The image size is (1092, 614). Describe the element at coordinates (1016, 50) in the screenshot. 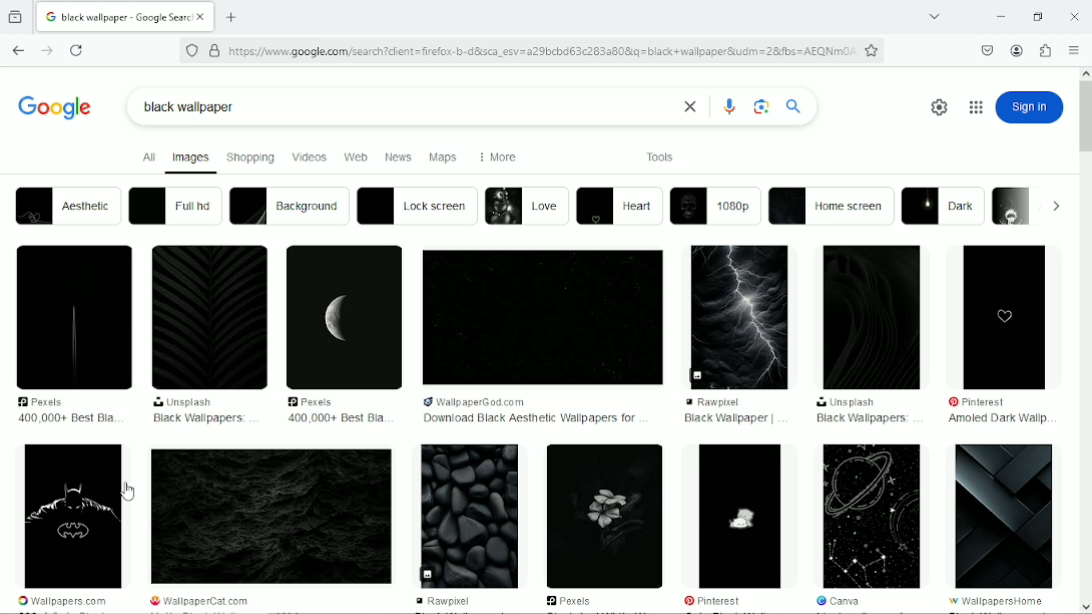

I see `account` at that location.